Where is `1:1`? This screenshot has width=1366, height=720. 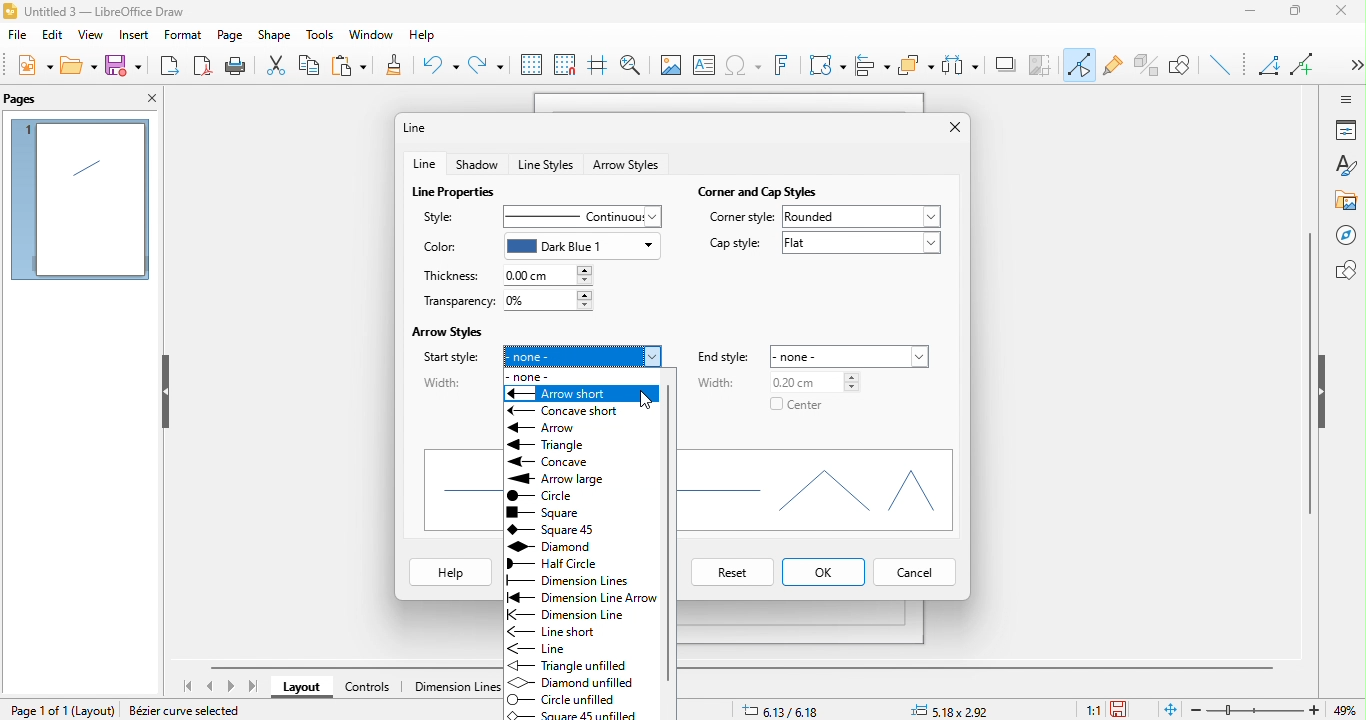 1:1 is located at coordinates (1092, 710).